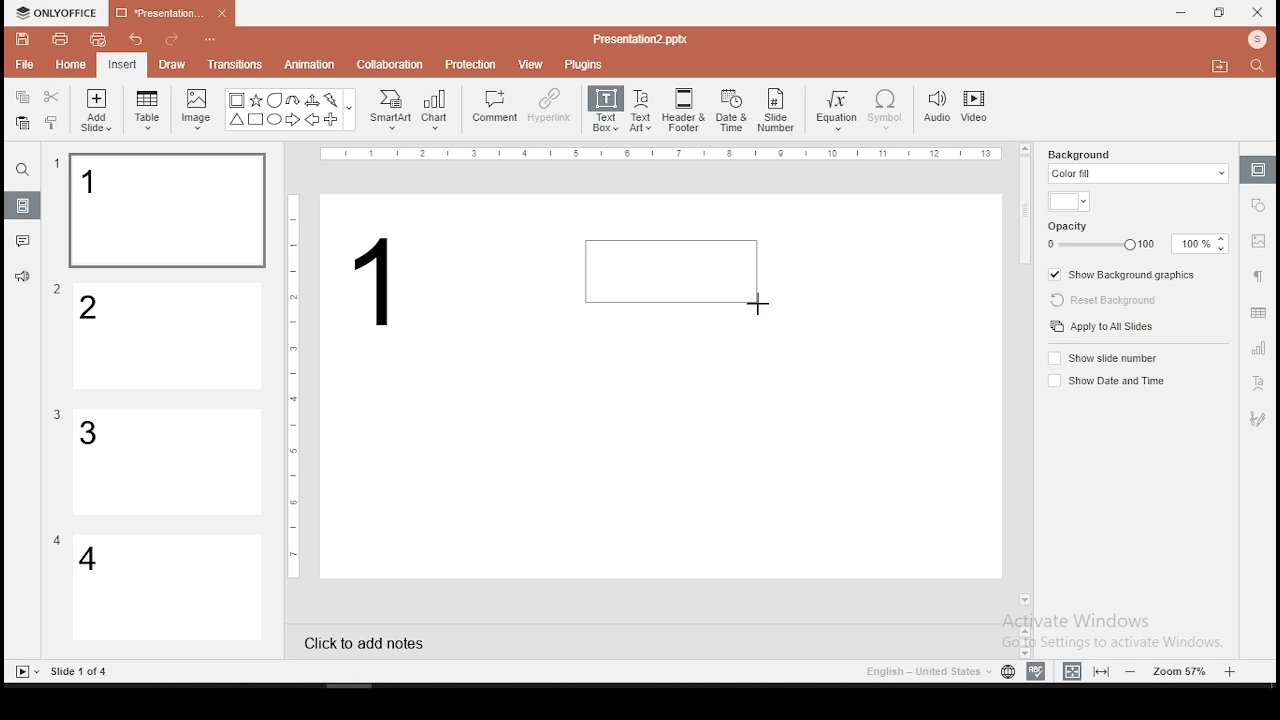  Describe the element at coordinates (641, 109) in the screenshot. I see `text art` at that location.